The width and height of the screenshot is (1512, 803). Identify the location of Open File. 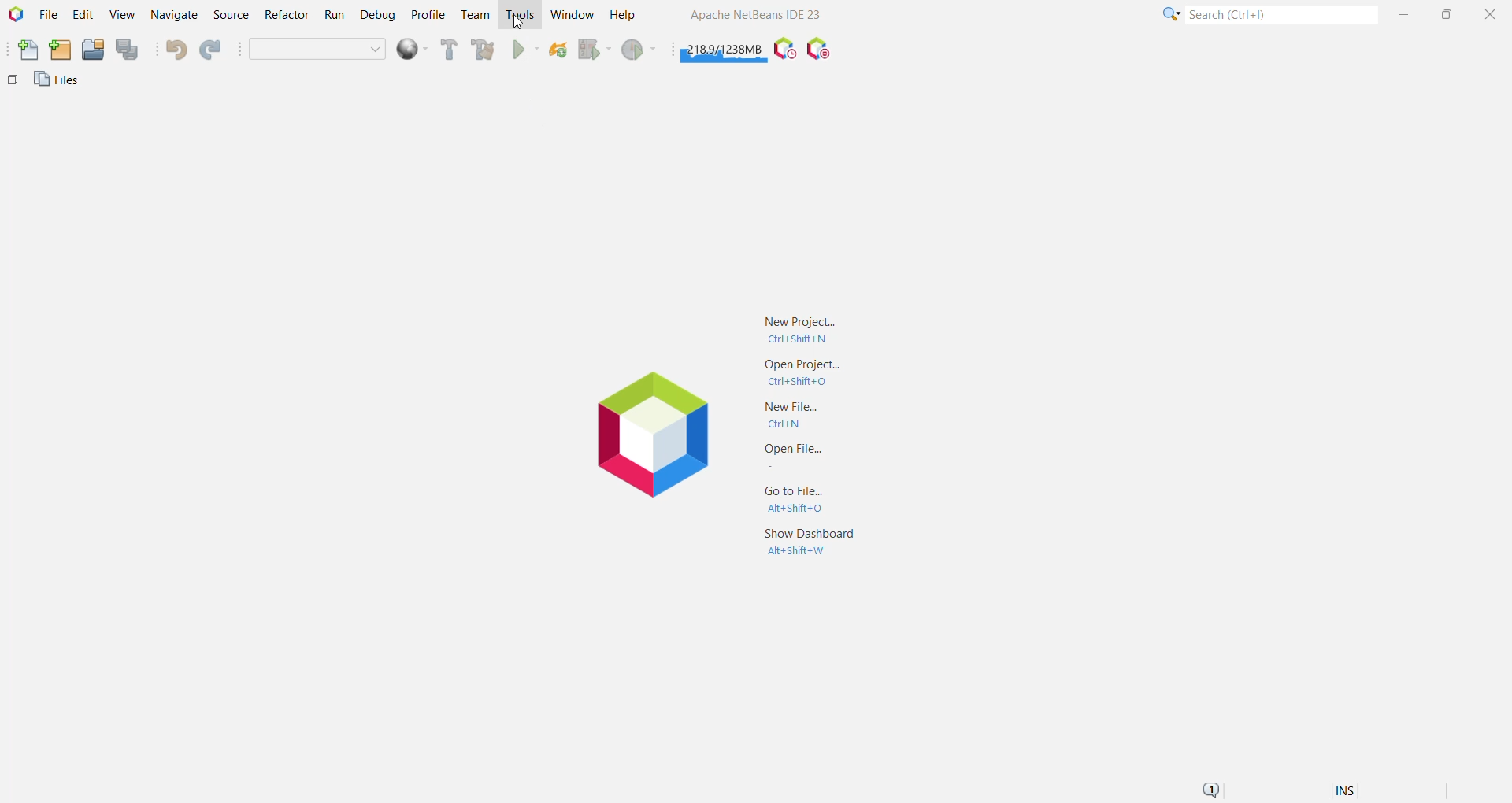
(791, 449).